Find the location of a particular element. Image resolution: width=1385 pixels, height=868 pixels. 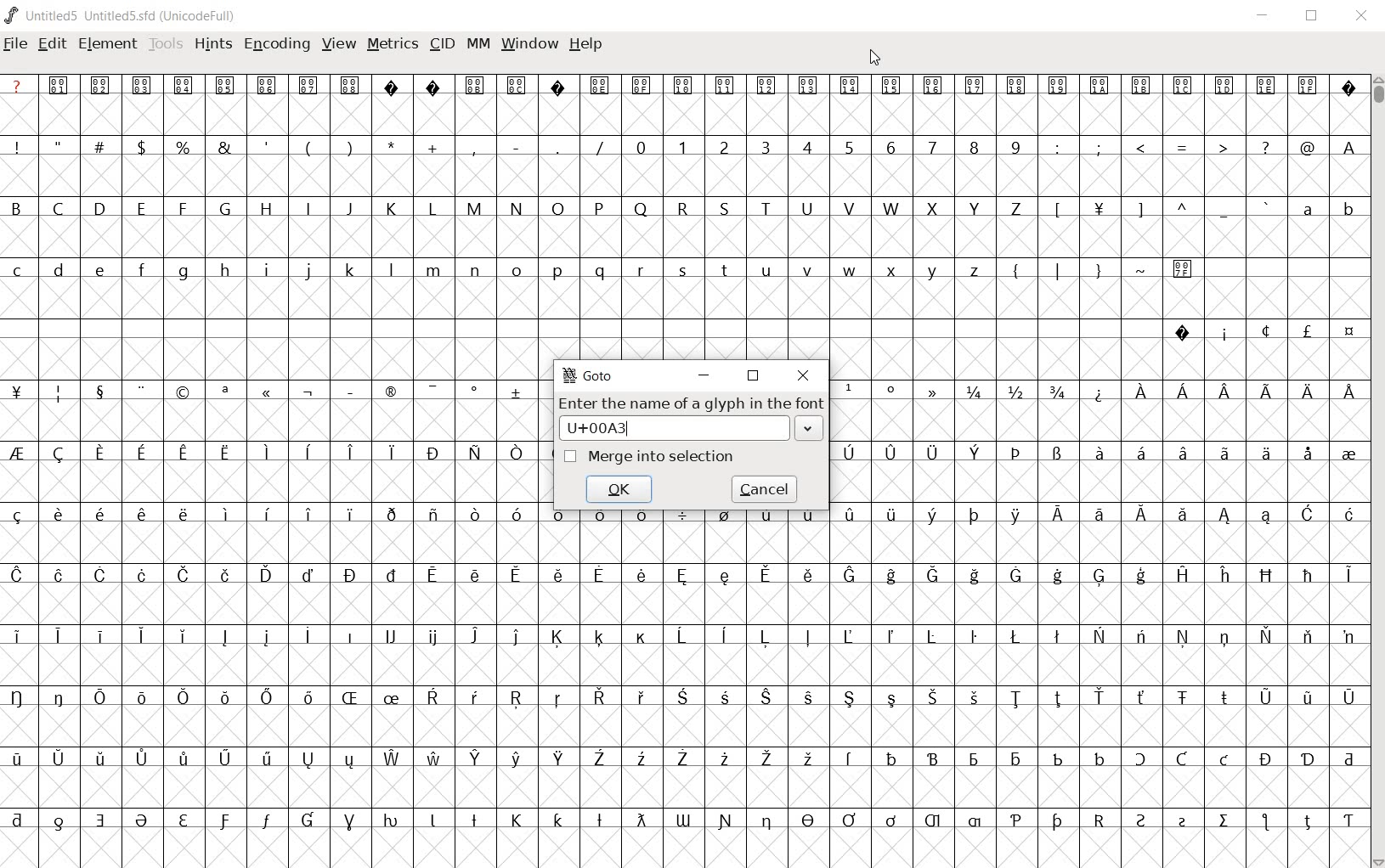

Symbol is located at coordinates (225, 699).